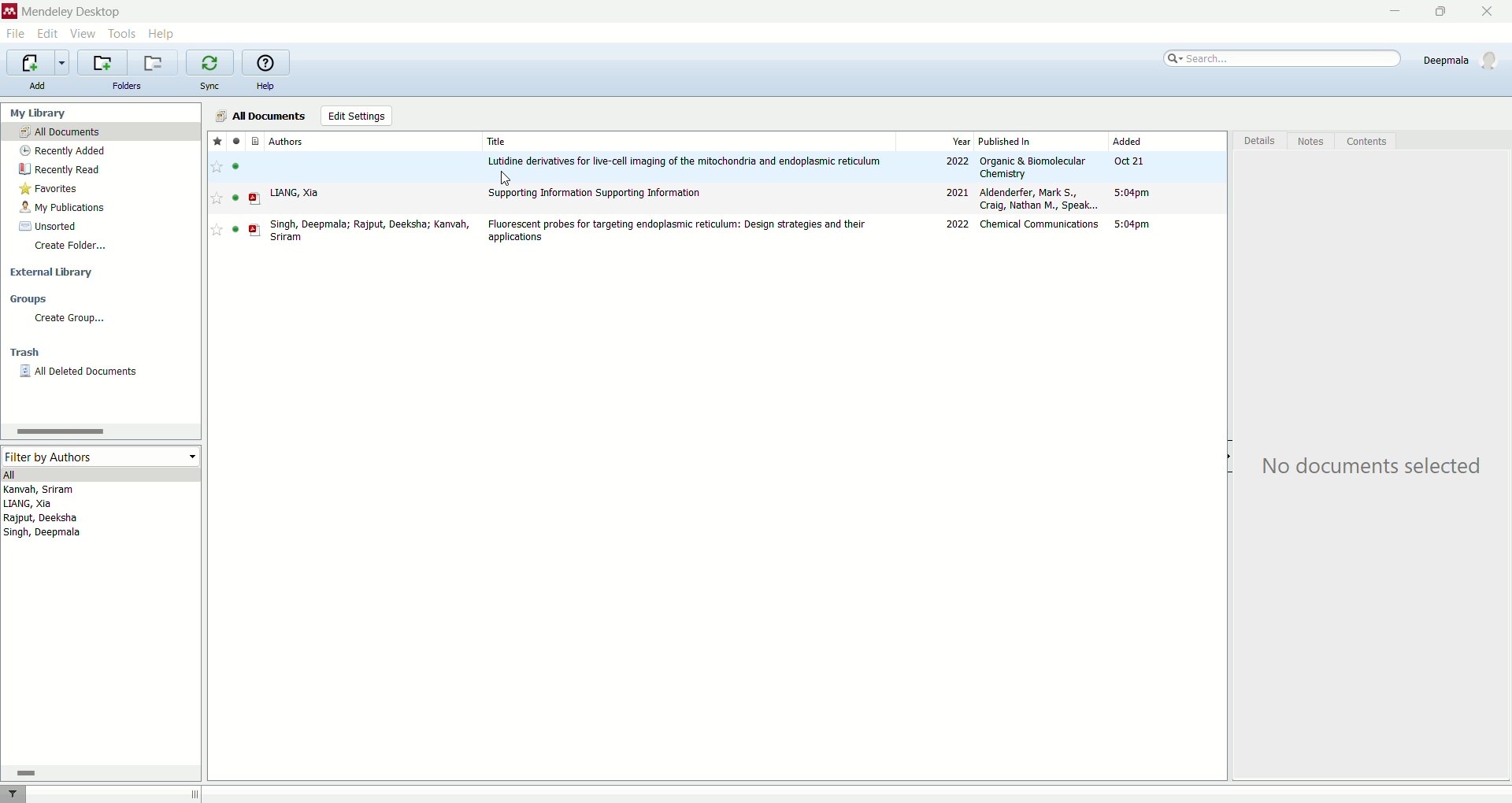  I want to click on create folder, so click(72, 247).